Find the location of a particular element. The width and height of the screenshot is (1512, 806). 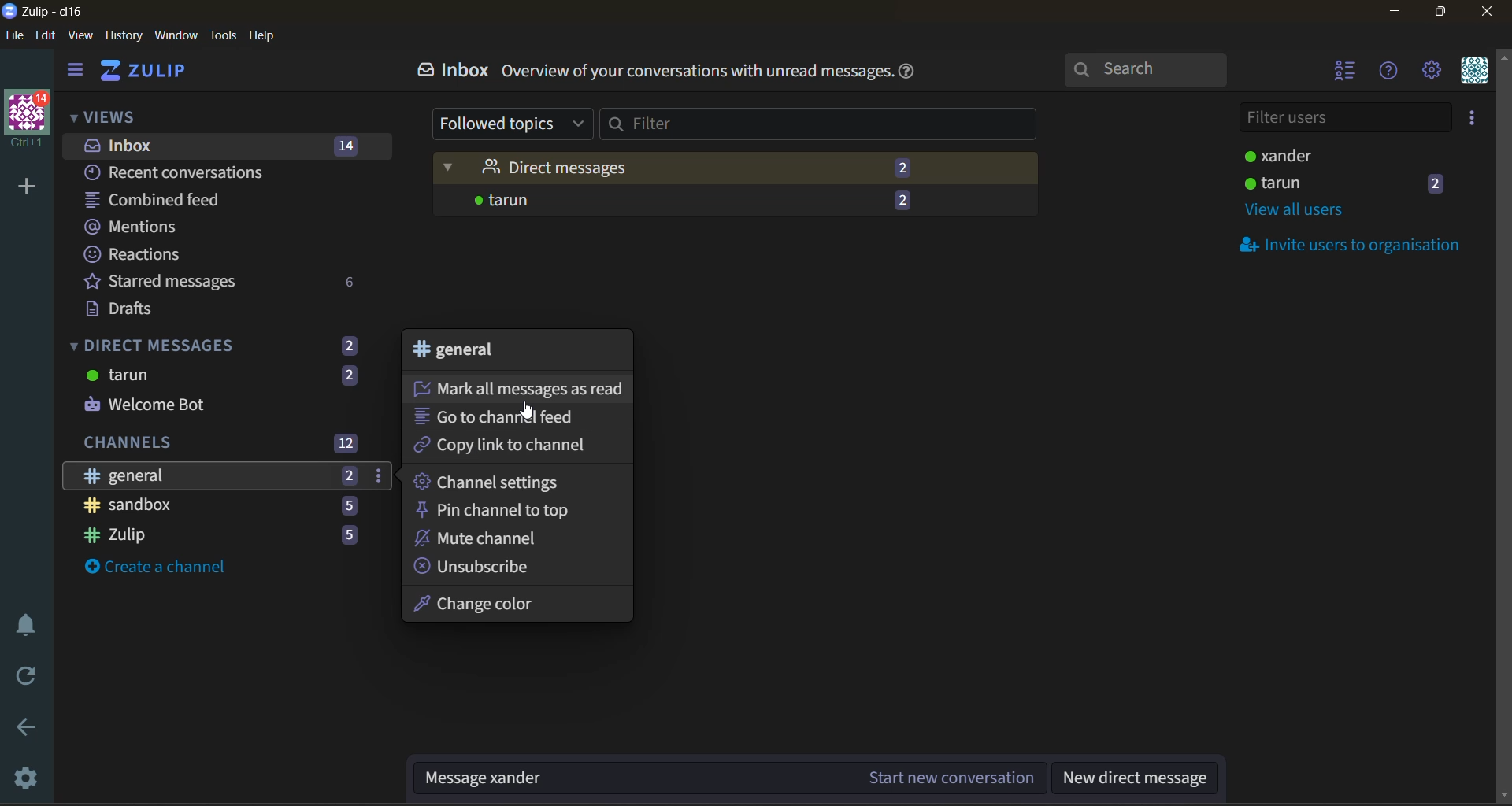

personal menu is located at coordinates (1473, 73).